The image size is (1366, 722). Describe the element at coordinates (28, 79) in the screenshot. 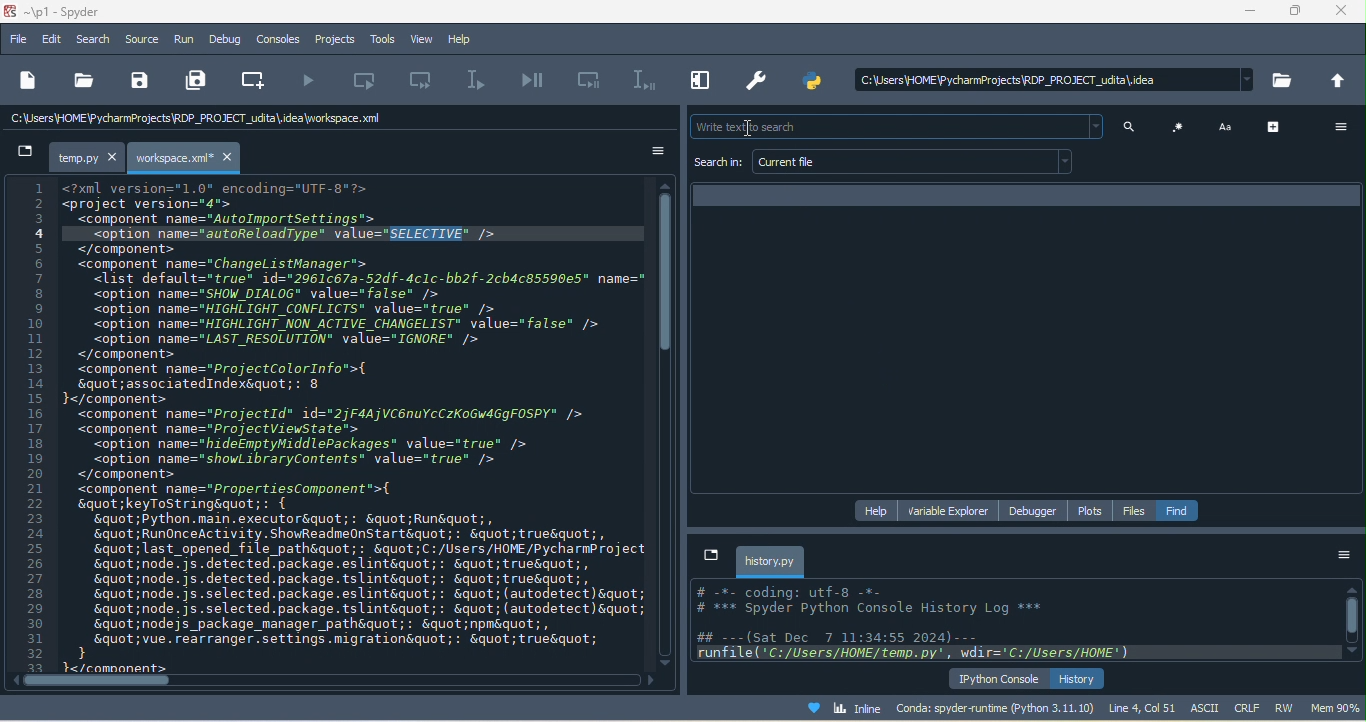

I see `new` at that location.